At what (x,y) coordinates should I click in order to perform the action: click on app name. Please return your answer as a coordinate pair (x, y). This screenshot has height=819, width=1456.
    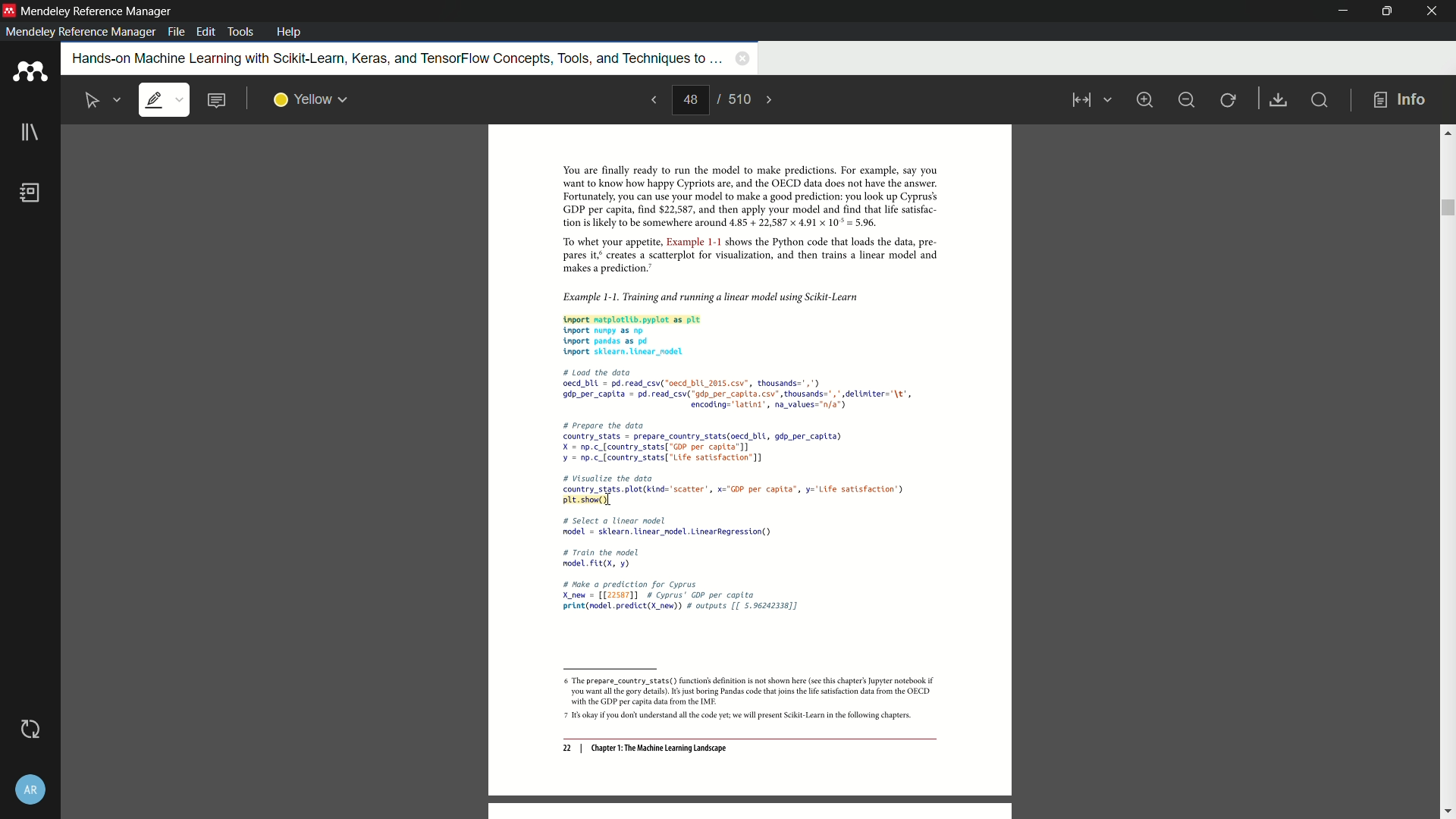
    Looking at the image, I should click on (99, 11).